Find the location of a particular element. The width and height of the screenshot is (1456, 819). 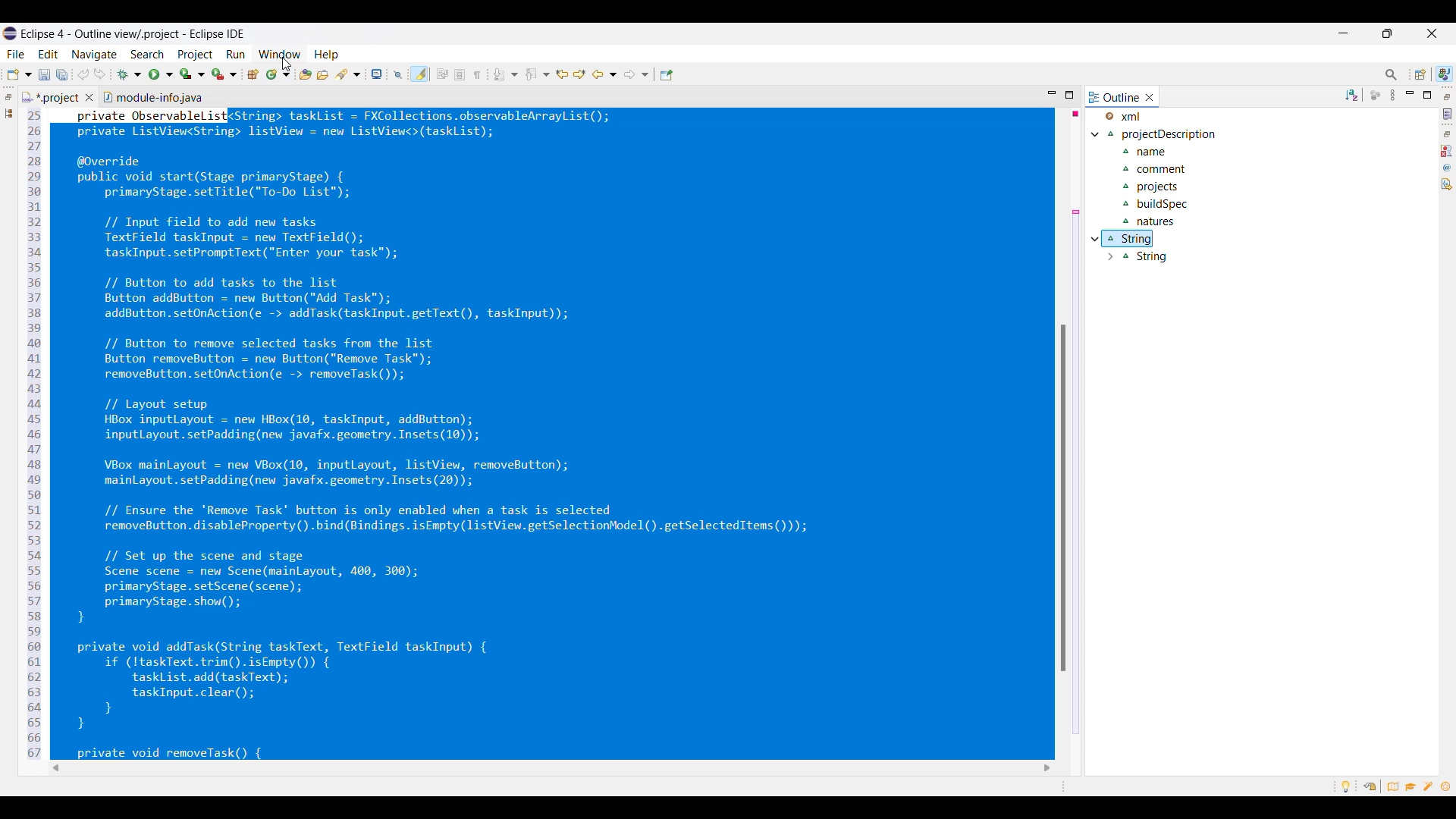

Access commands and other items is located at coordinates (1392, 74).